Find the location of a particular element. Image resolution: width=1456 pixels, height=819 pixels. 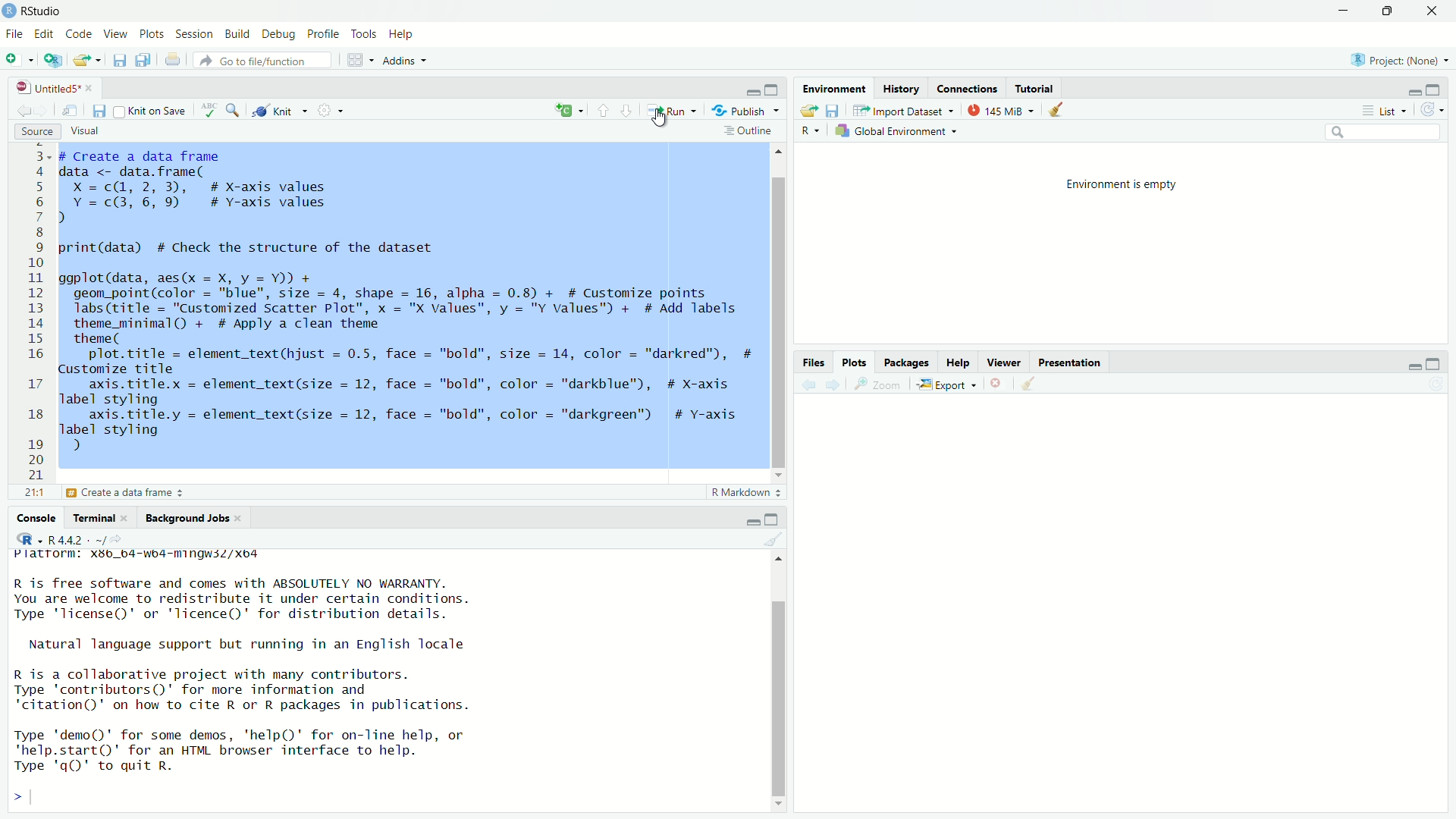

Knit on save is located at coordinates (151, 112).